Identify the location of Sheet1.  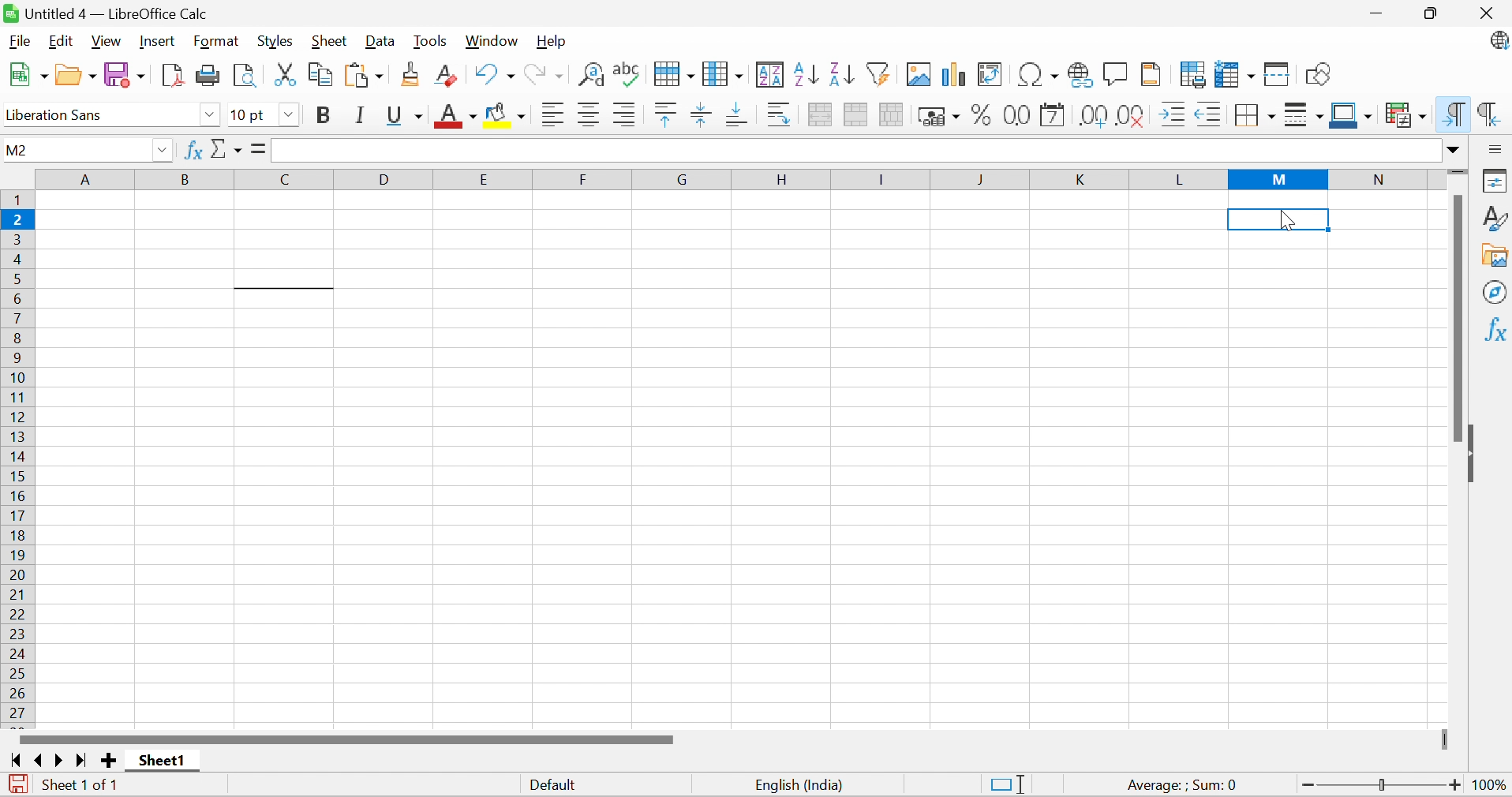
(163, 761).